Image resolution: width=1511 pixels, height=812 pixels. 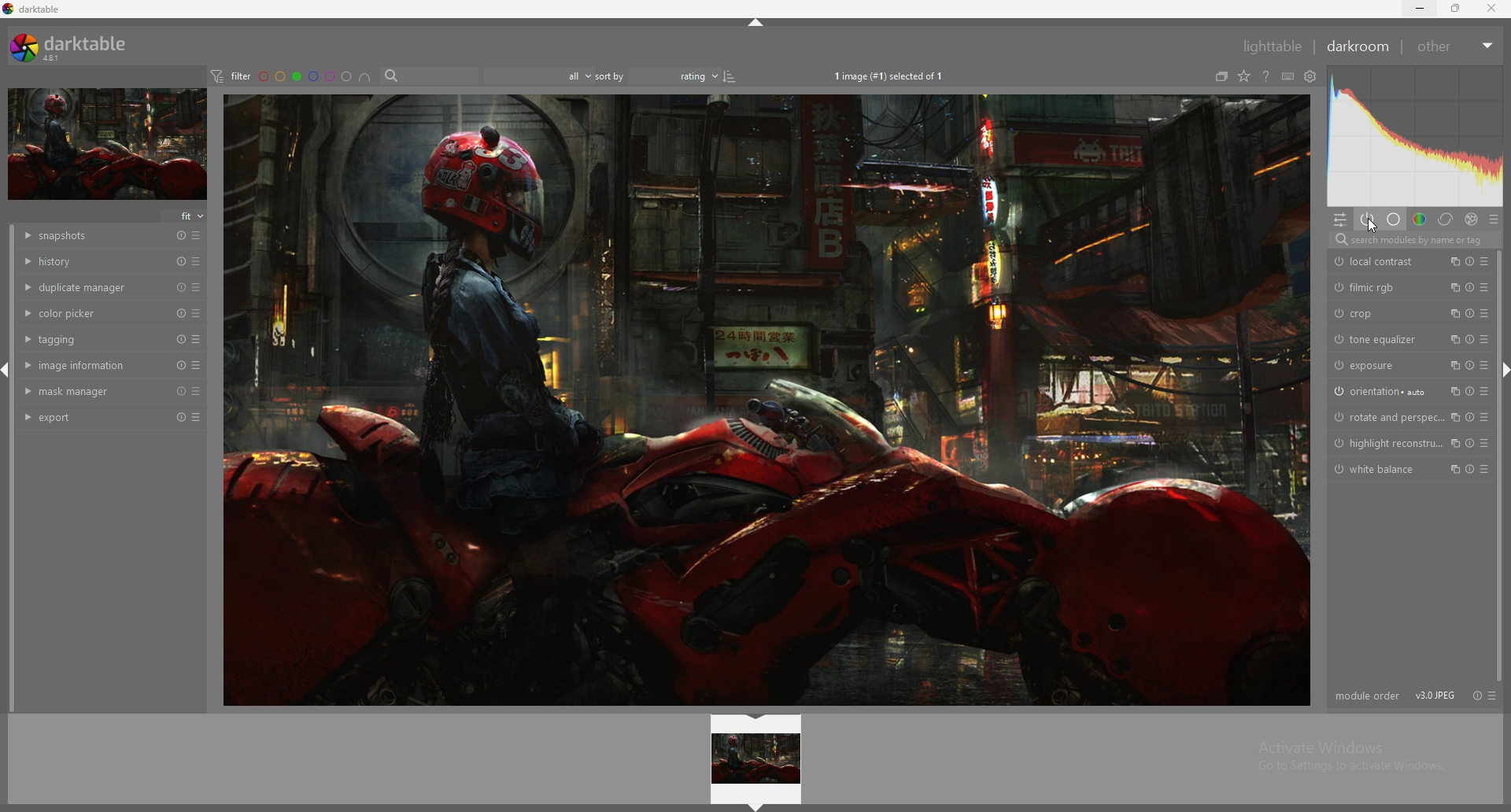 I want to click on presets, so click(x=1486, y=443).